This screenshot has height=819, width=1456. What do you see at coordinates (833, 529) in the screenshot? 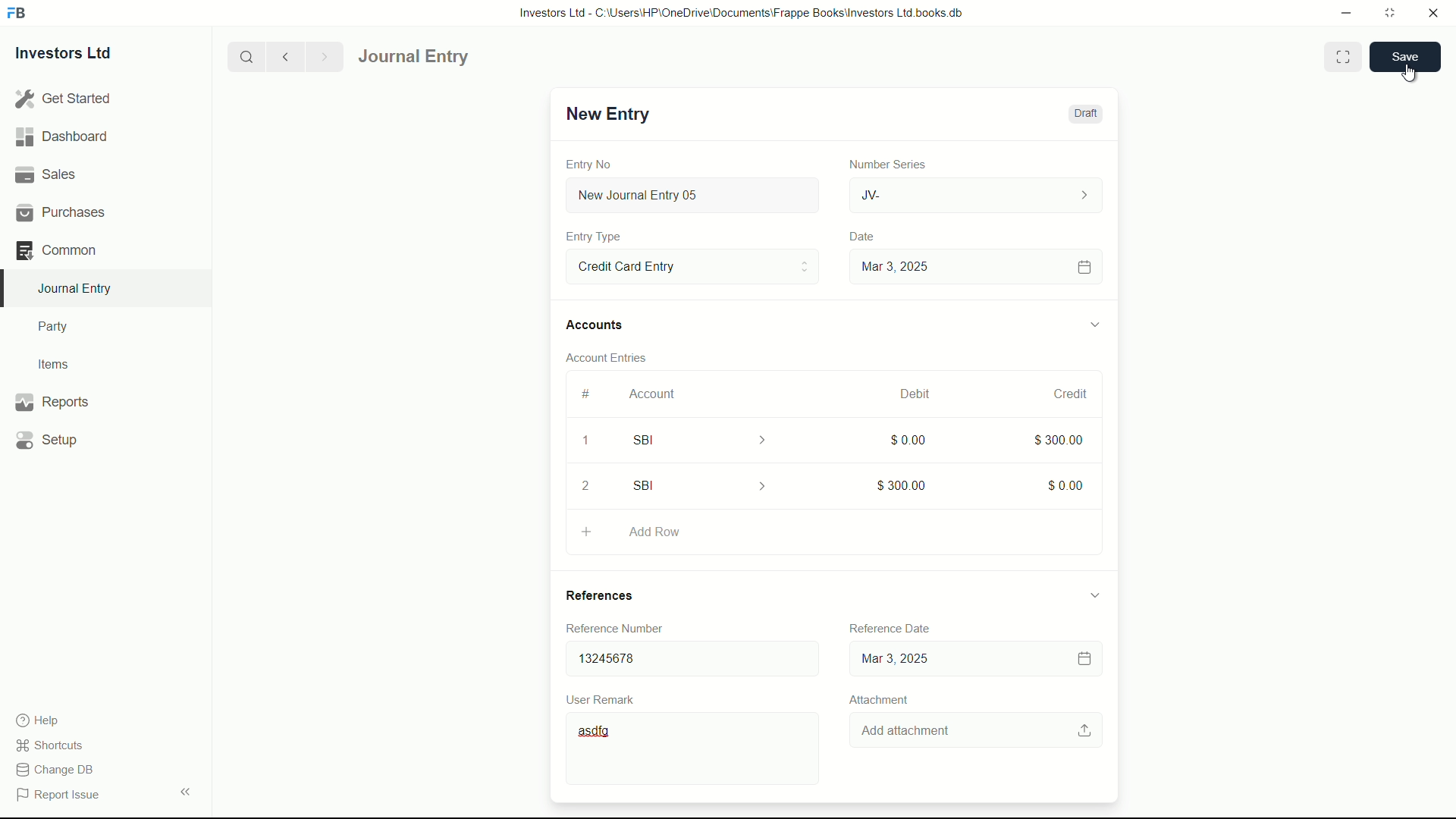
I see `Add Row` at bounding box center [833, 529].